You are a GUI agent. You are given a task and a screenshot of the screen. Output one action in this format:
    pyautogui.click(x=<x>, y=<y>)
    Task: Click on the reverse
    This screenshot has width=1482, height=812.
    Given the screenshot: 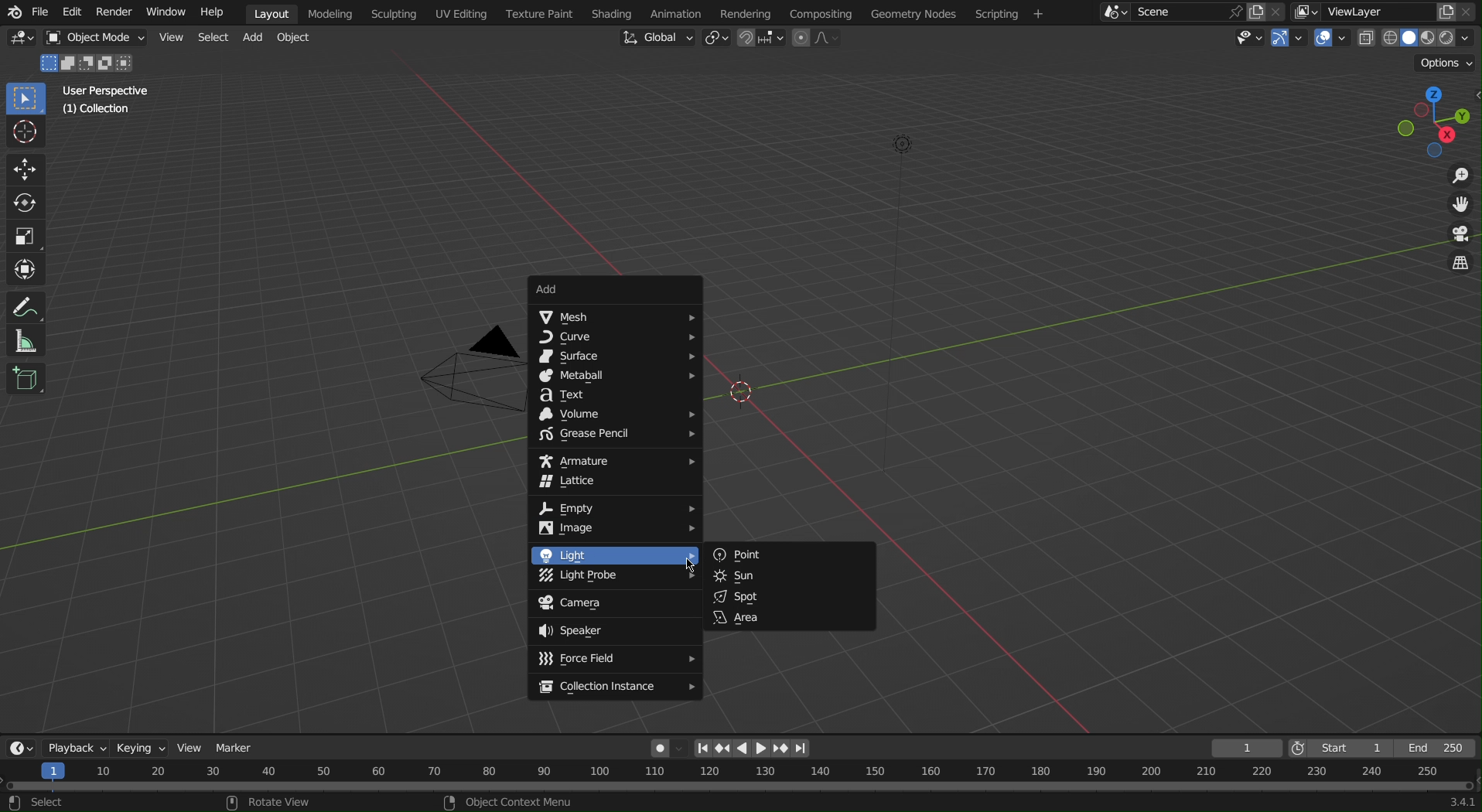 What is the action you would take?
    pyautogui.click(x=722, y=749)
    